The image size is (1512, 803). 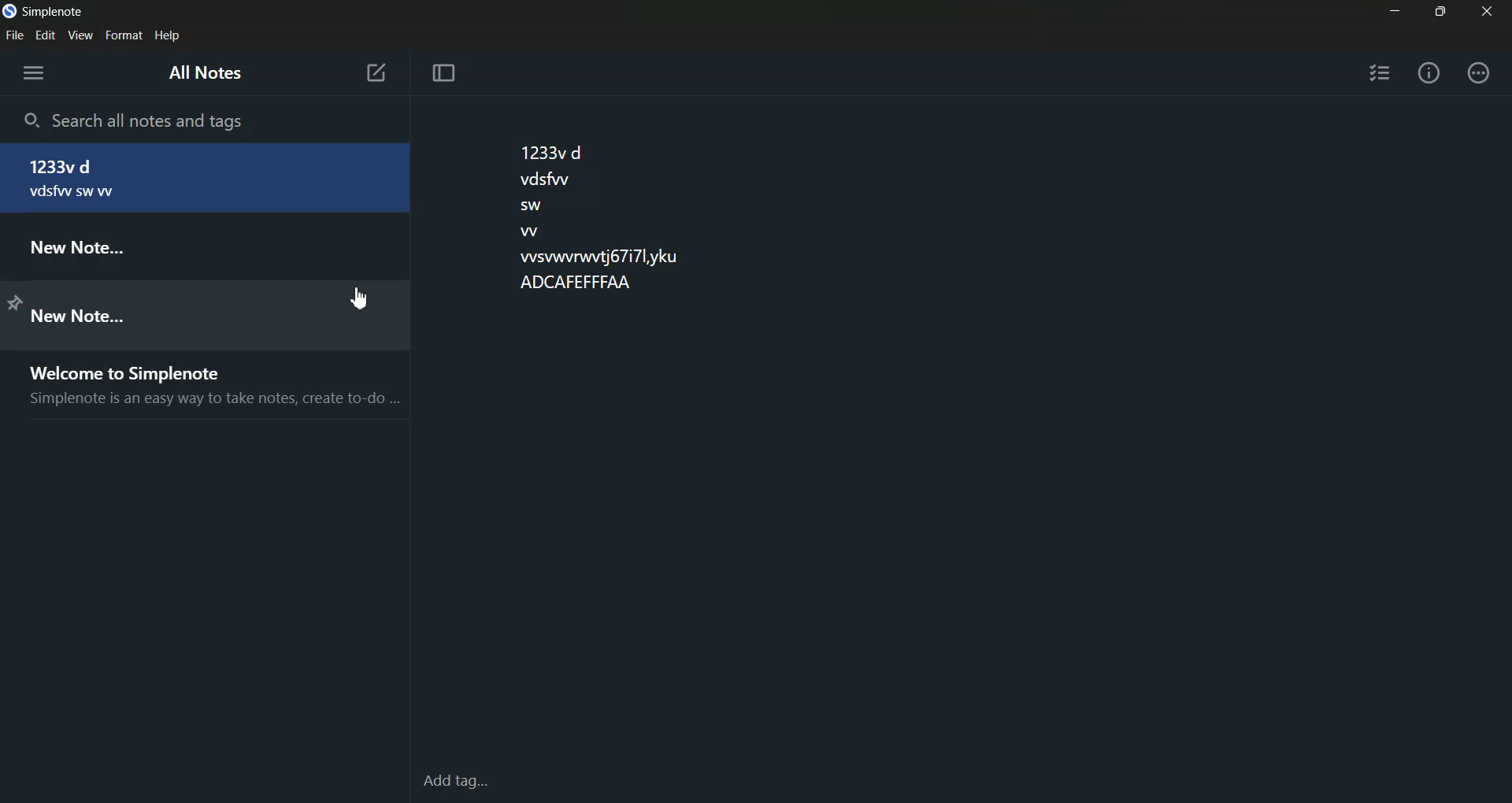 I want to click on Help, so click(x=168, y=36).